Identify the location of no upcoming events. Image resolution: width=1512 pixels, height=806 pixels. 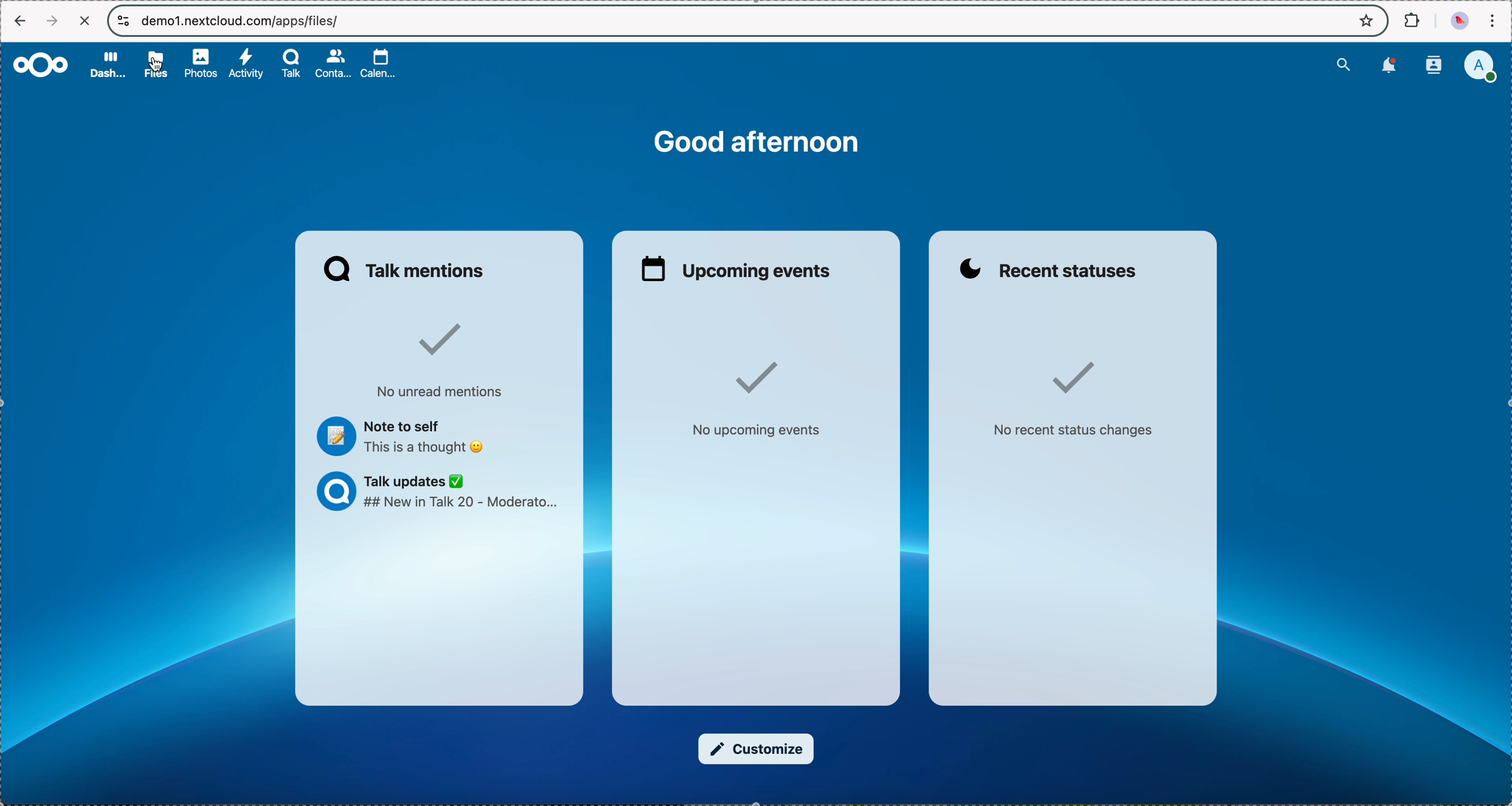
(759, 399).